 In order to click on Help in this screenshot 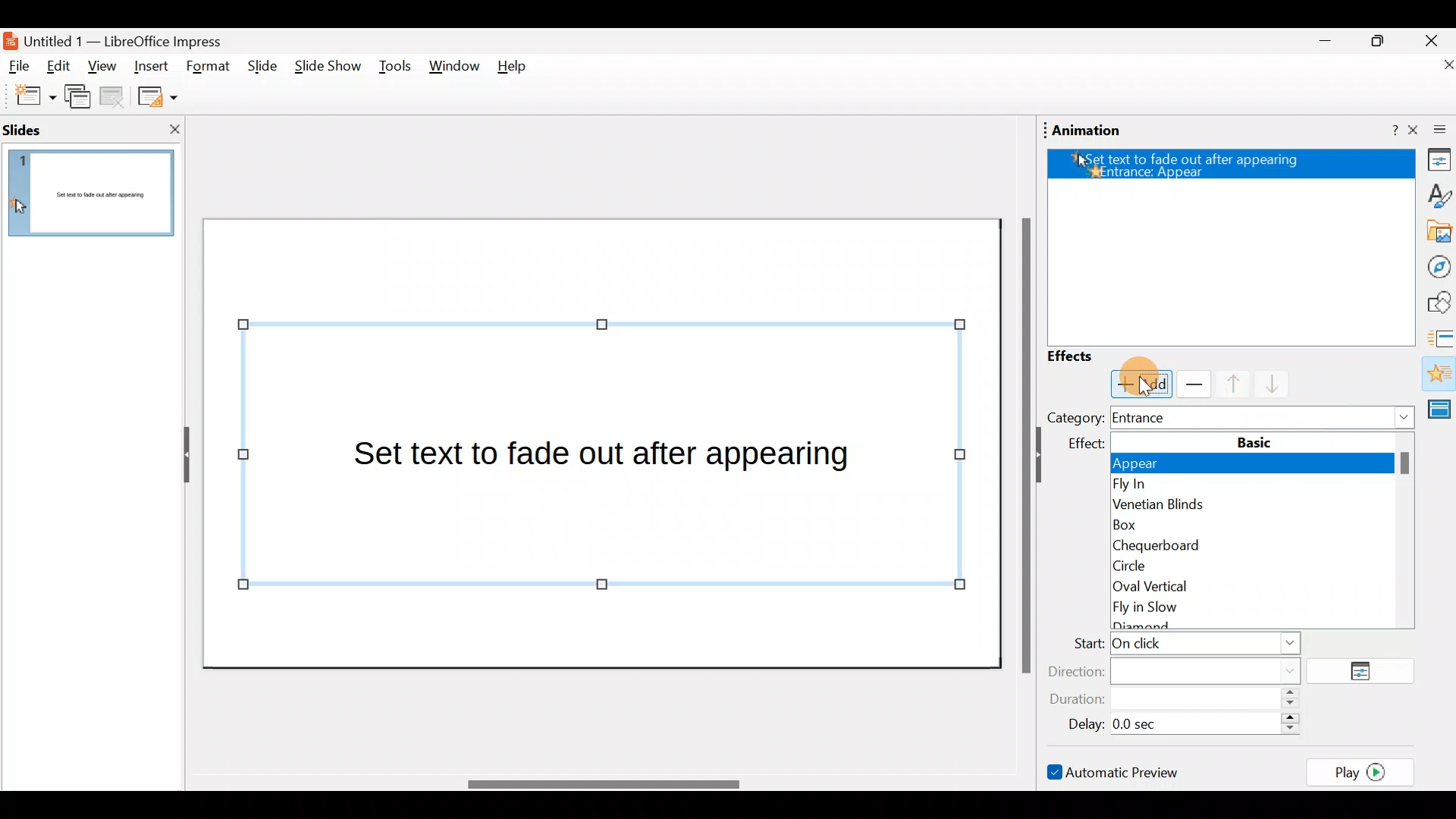, I will do `click(518, 70)`.